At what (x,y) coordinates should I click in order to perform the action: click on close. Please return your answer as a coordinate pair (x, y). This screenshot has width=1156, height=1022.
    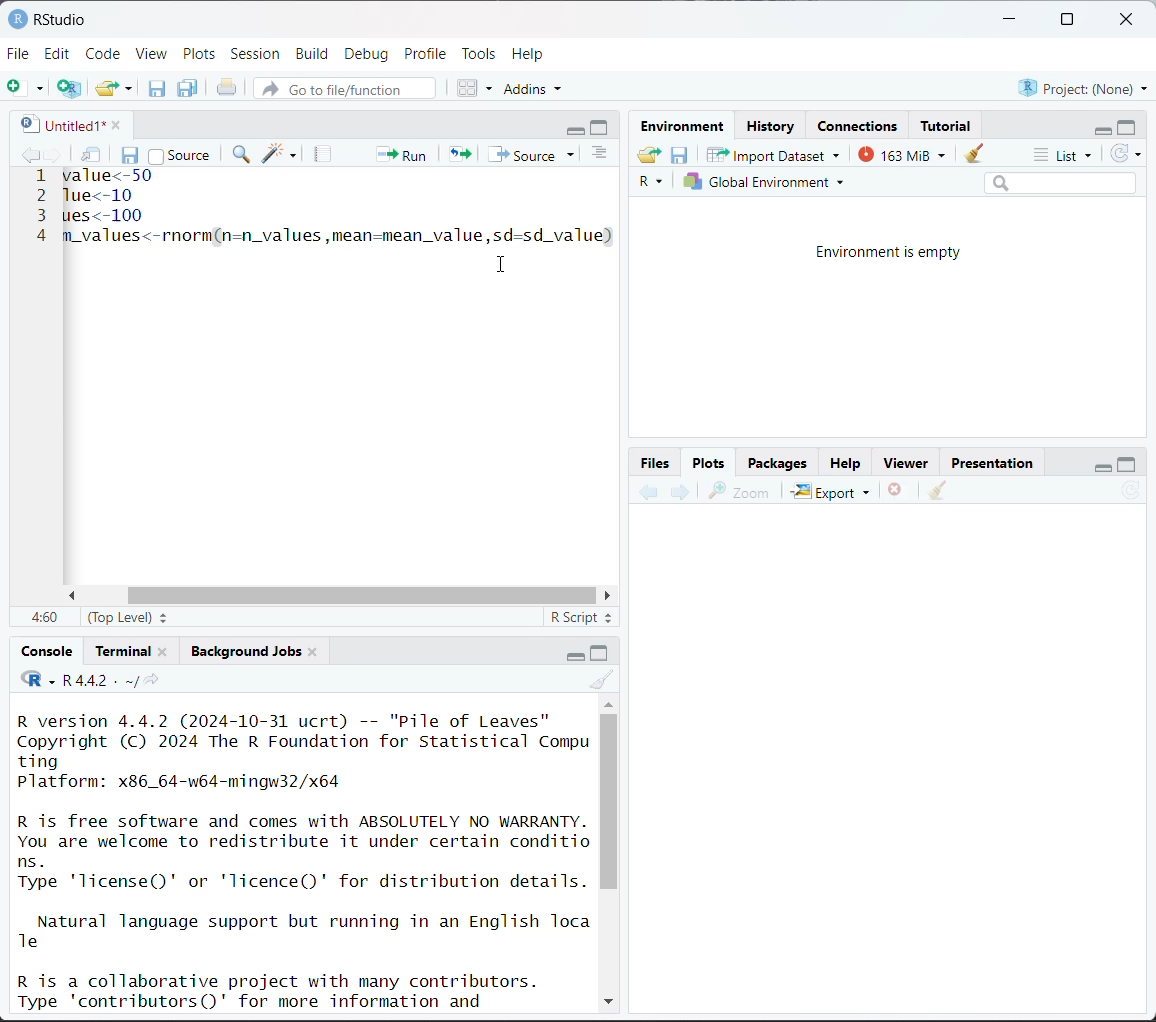
    Looking at the image, I should click on (163, 650).